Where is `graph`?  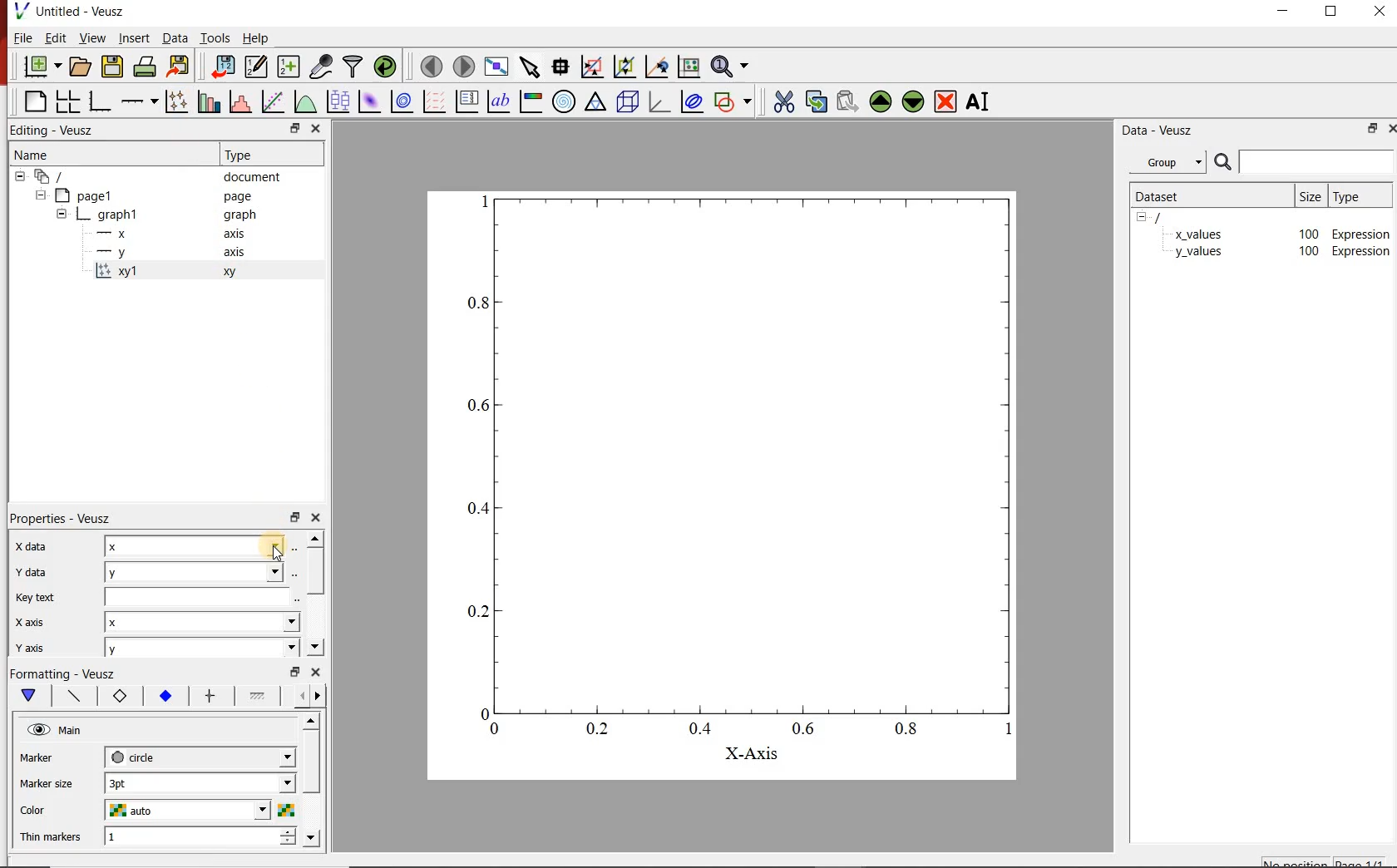
graph is located at coordinates (726, 465).